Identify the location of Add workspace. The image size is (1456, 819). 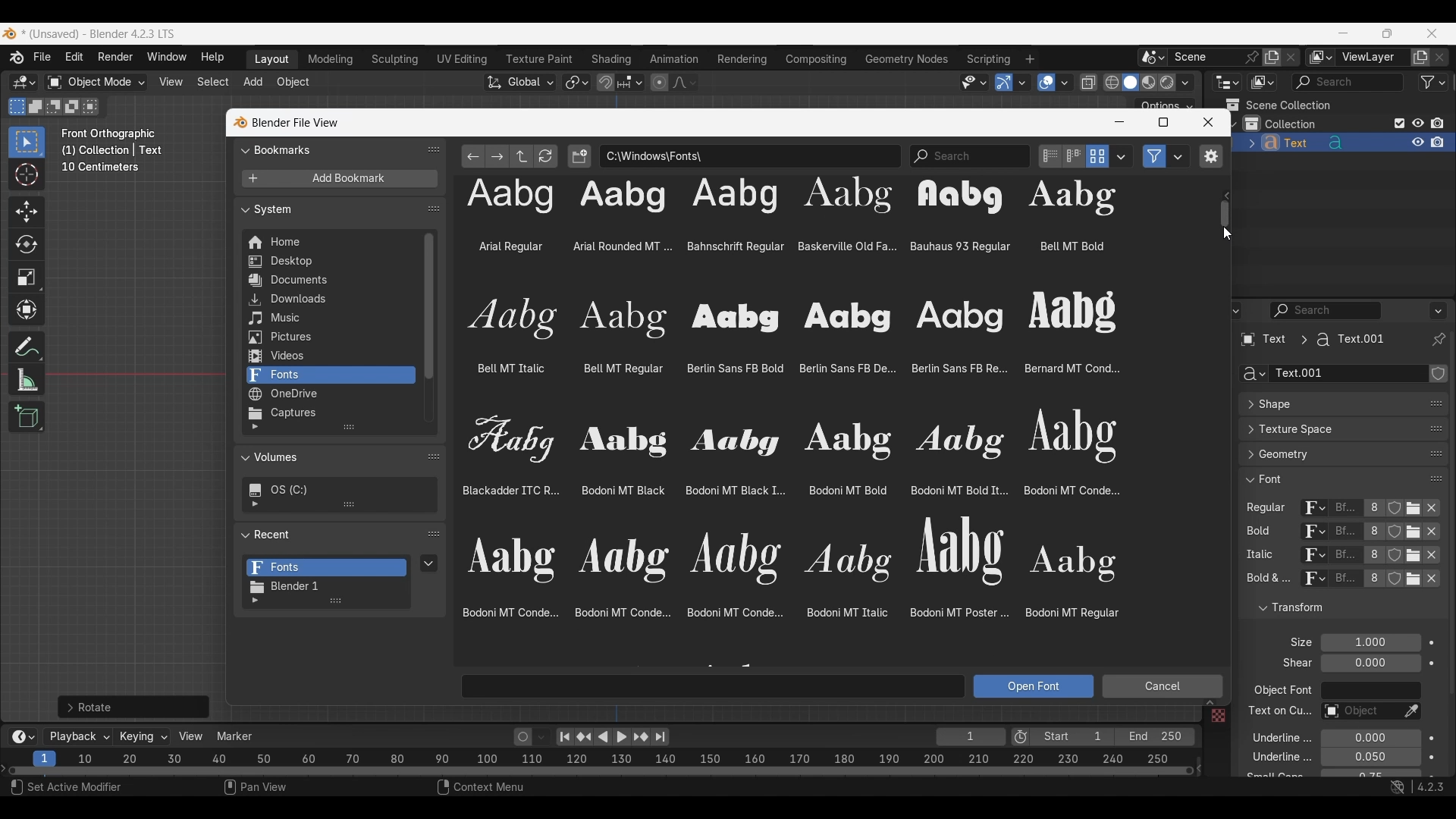
(1029, 59).